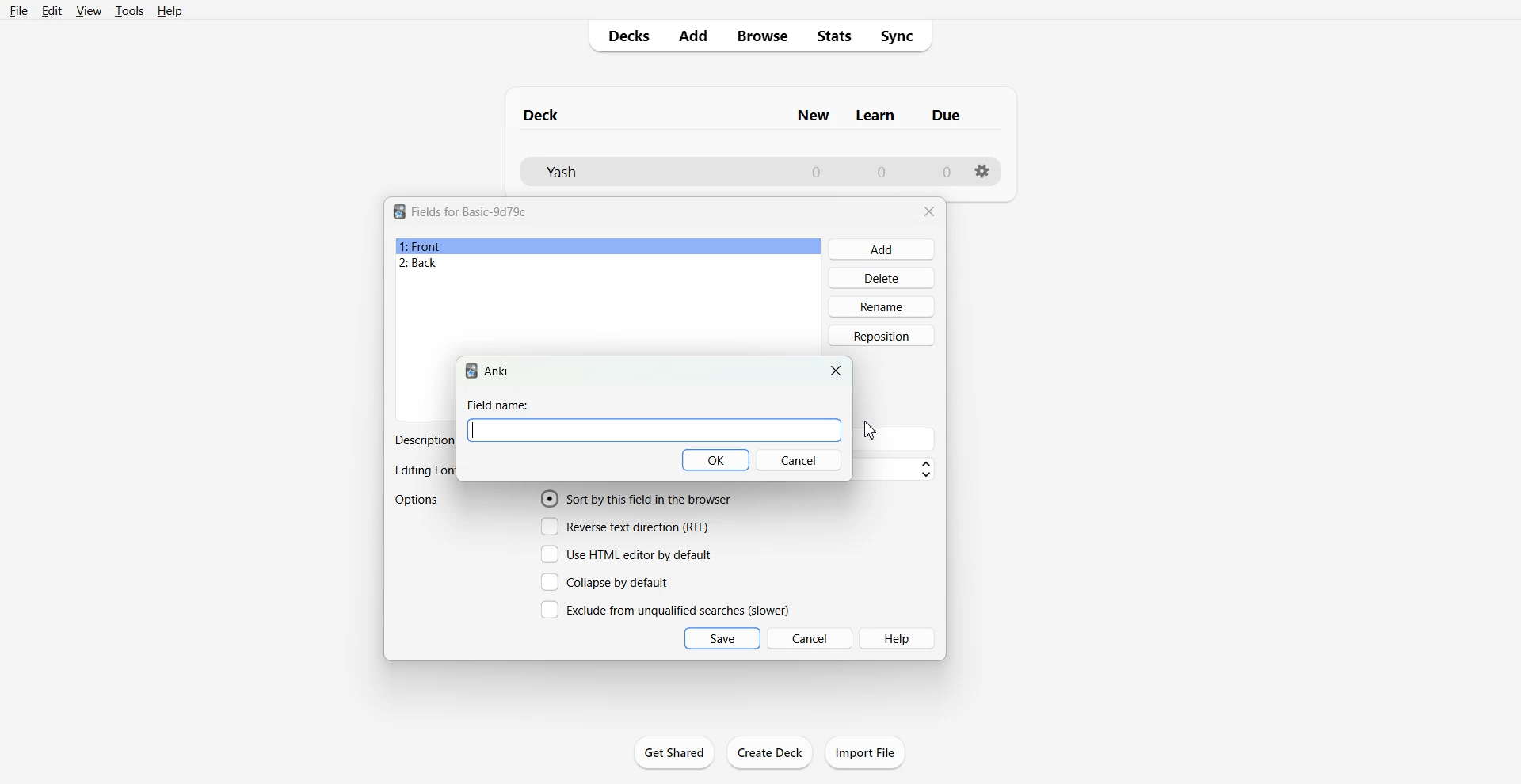 This screenshot has width=1521, height=784. Describe the element at coordinates (665, 609) in the screenshot. I see `Exclude from unqualified searches (slower)` at that location.